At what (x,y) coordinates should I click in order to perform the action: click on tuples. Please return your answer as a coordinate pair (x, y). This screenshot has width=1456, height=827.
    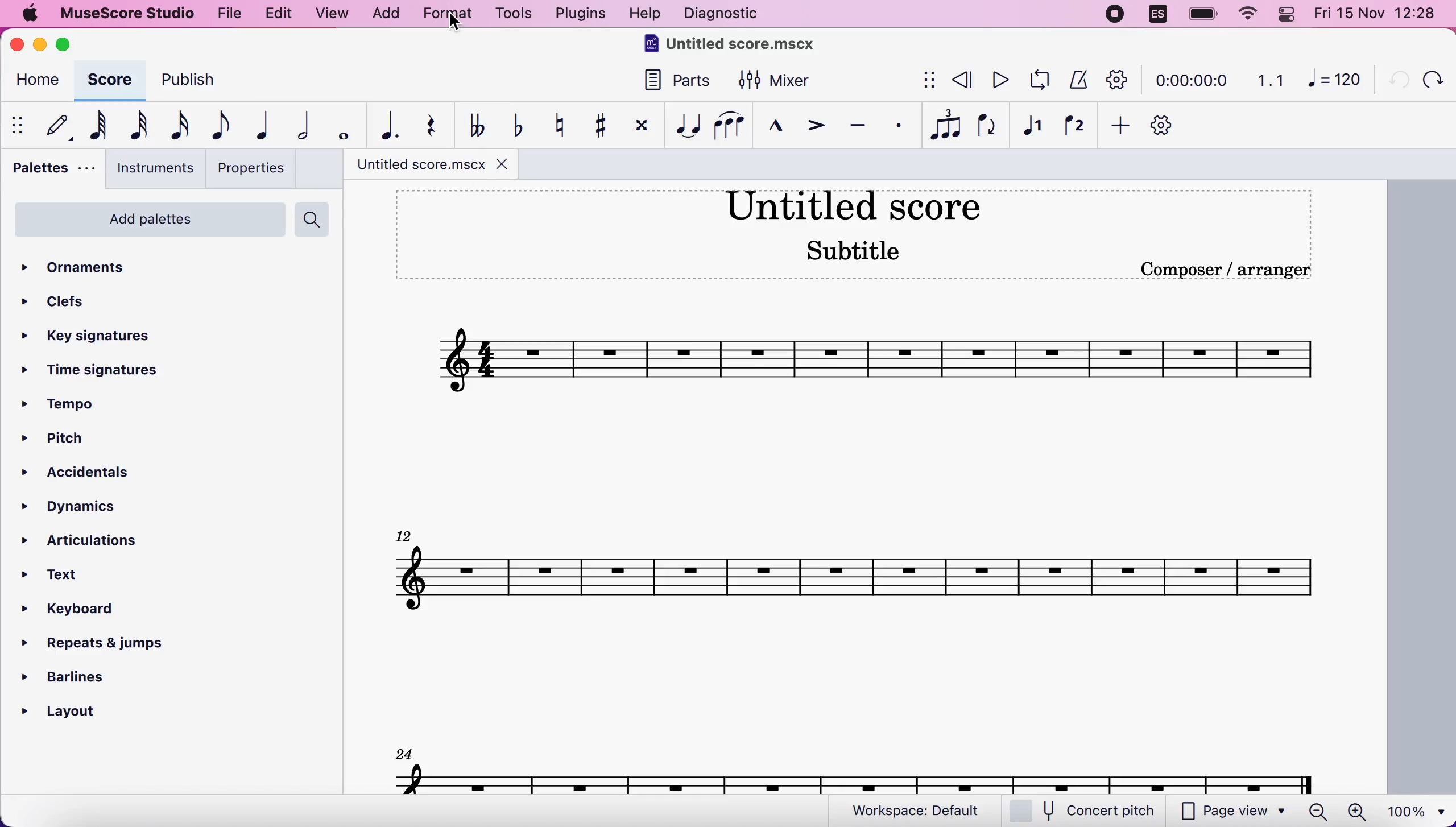
    Looking at the image, I should click on (946, 126).